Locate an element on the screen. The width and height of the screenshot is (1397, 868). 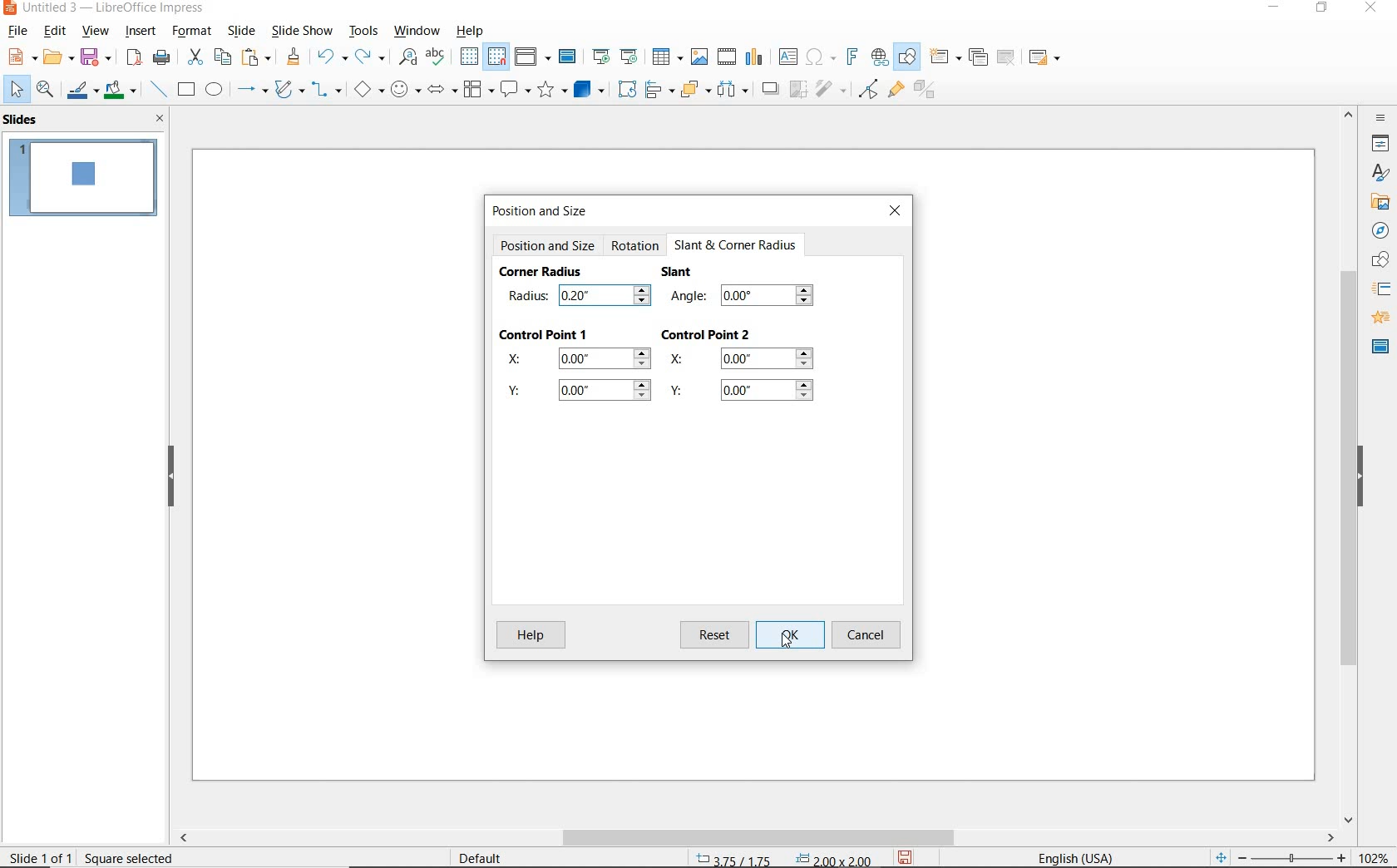
three objects to distribute is located at coordinates (737, 89).